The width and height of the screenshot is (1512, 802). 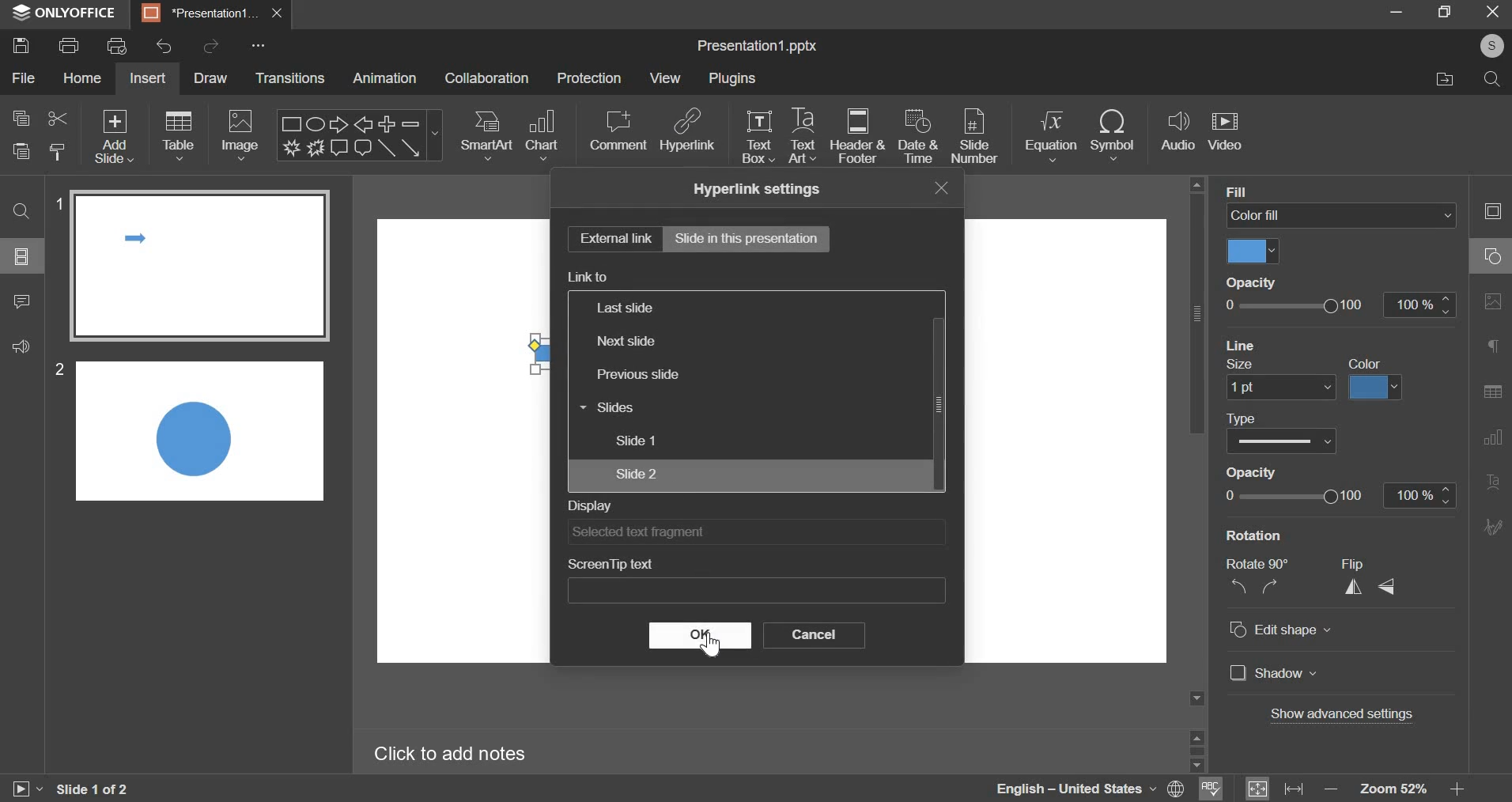 I want to click on print, so click(x=70, y=45).